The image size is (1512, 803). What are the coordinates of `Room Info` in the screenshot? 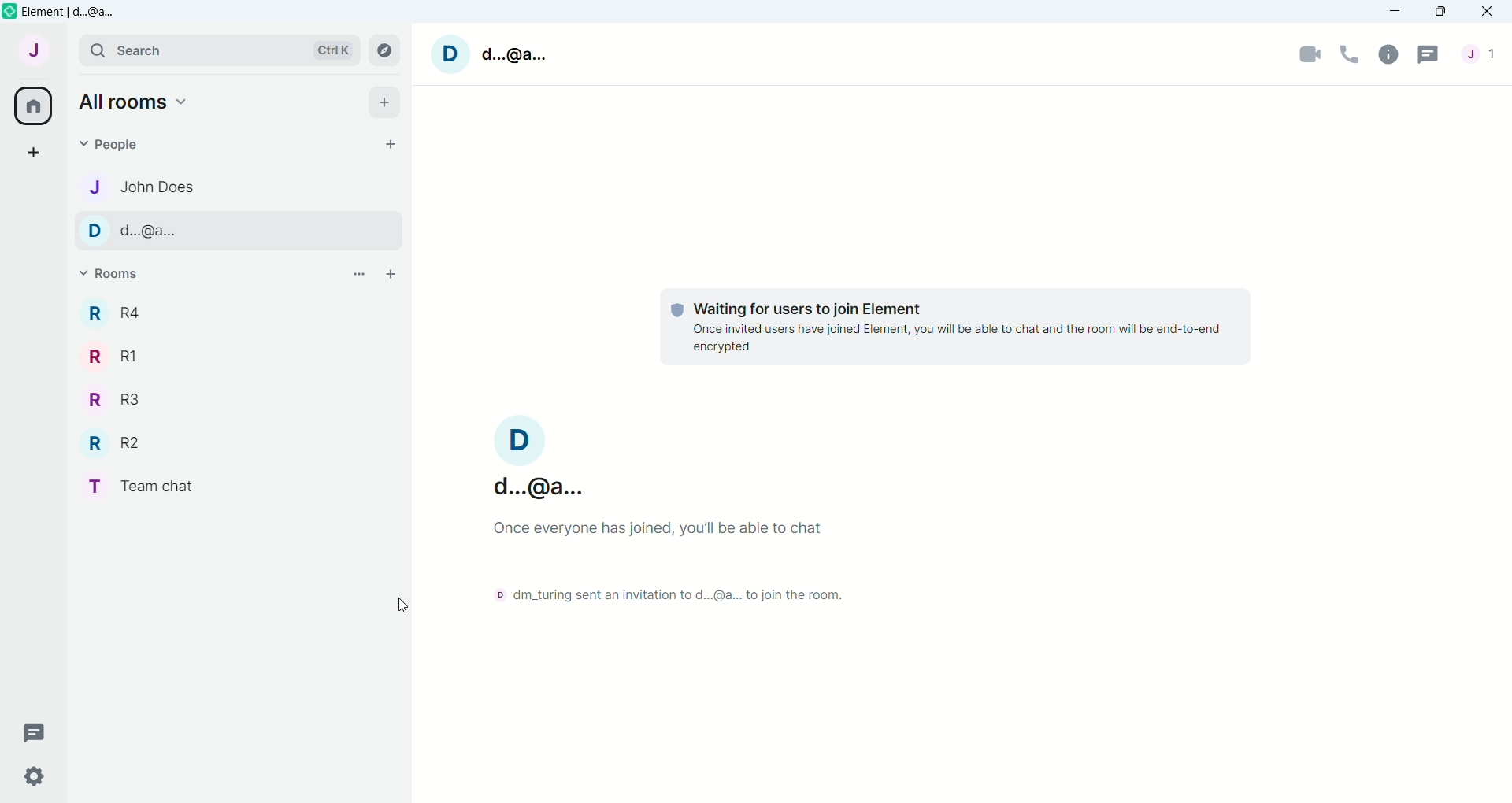 It's located at (1388, 54).